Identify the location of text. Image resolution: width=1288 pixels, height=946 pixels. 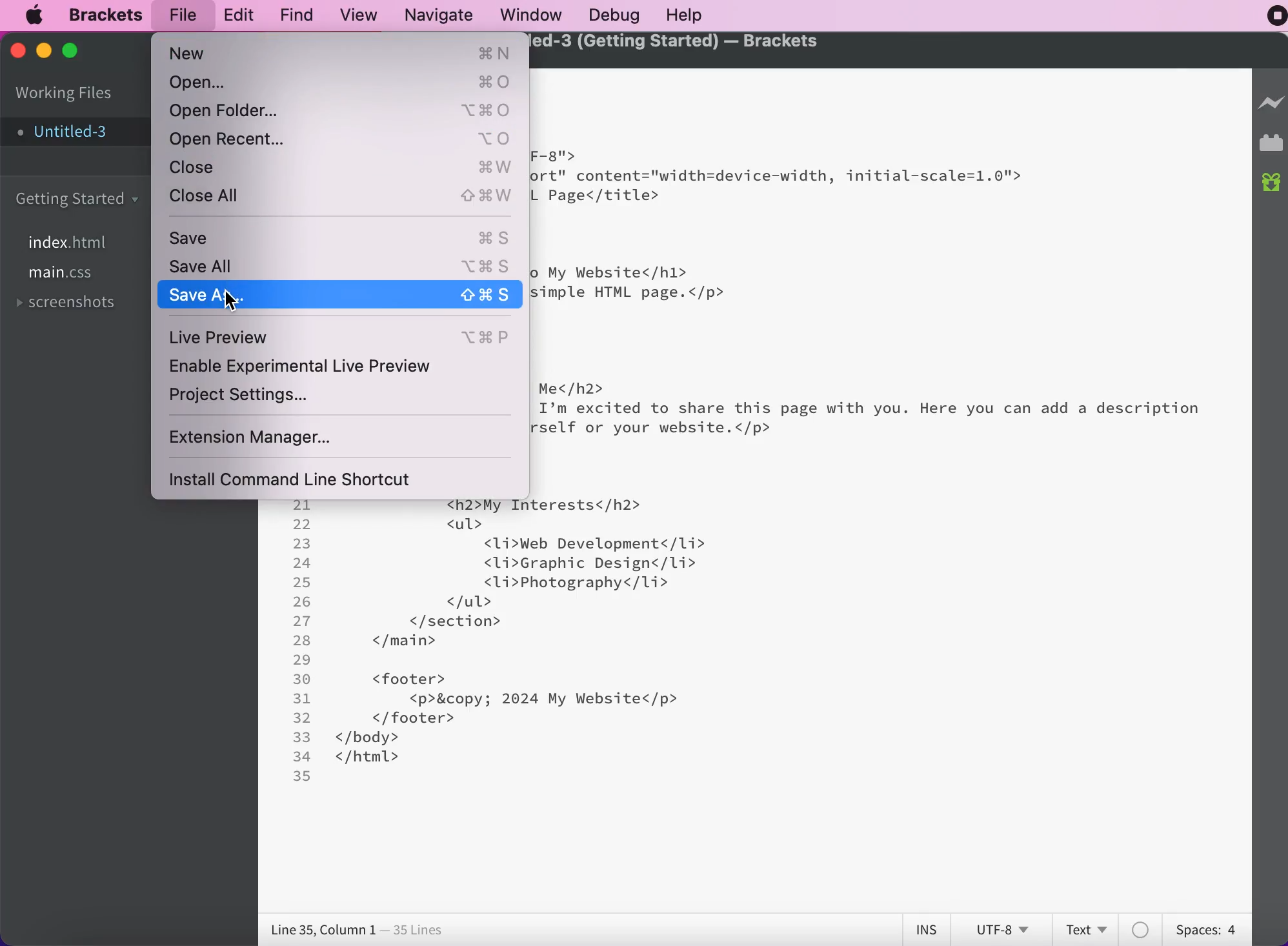
(1083, 928).